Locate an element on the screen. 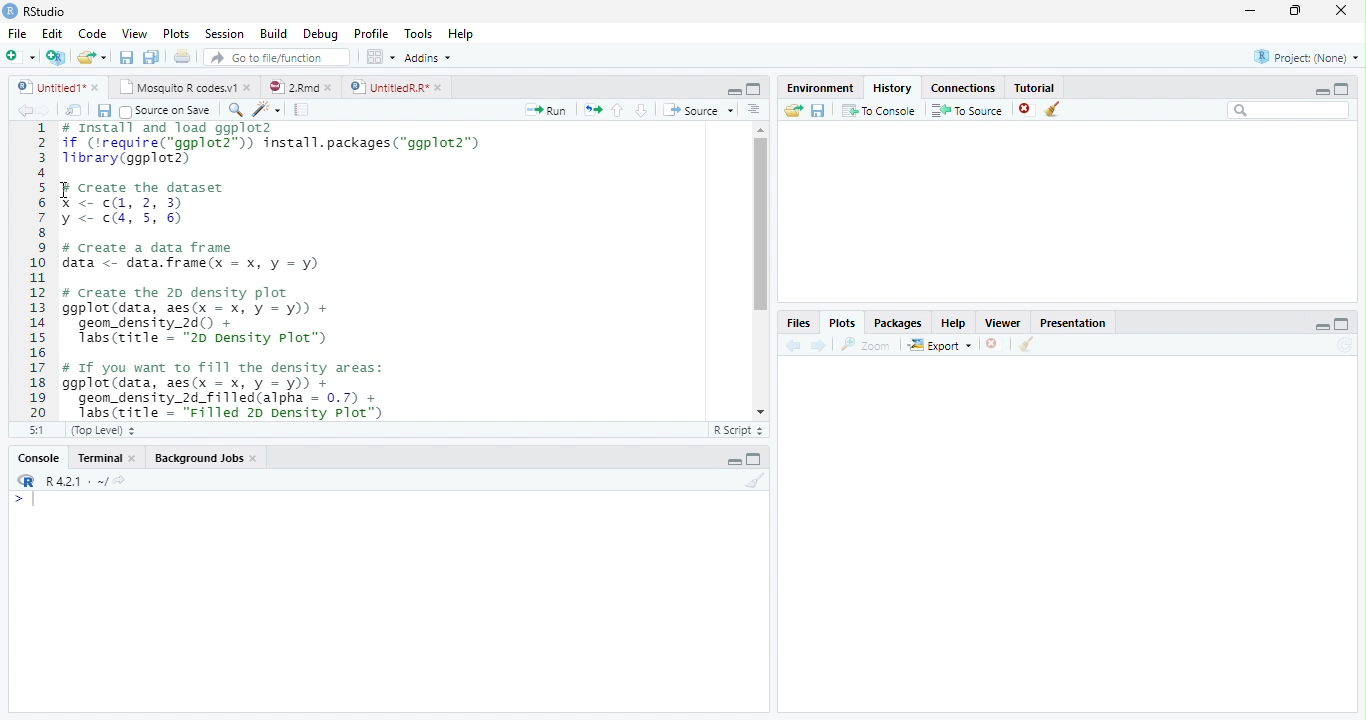  Code is located at coordinates (94, 35).